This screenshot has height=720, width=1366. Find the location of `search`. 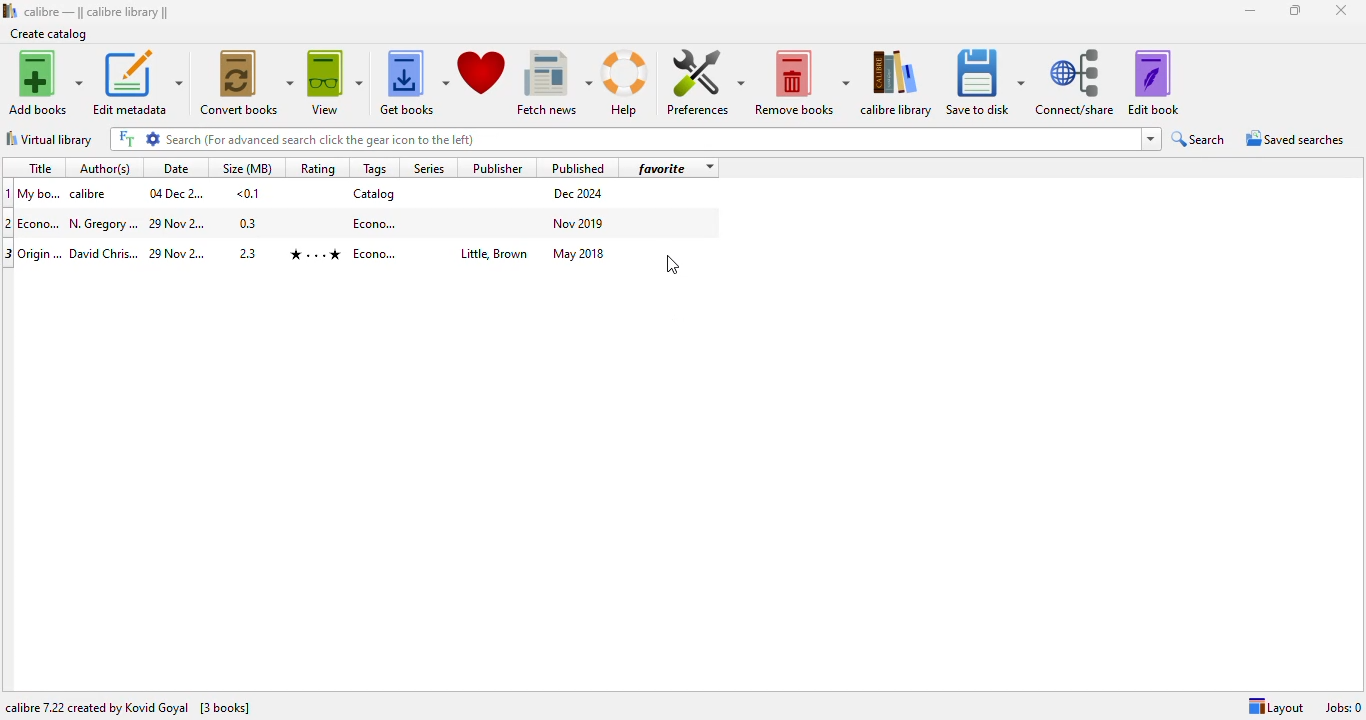

search is located at coordinates (1199, 139).